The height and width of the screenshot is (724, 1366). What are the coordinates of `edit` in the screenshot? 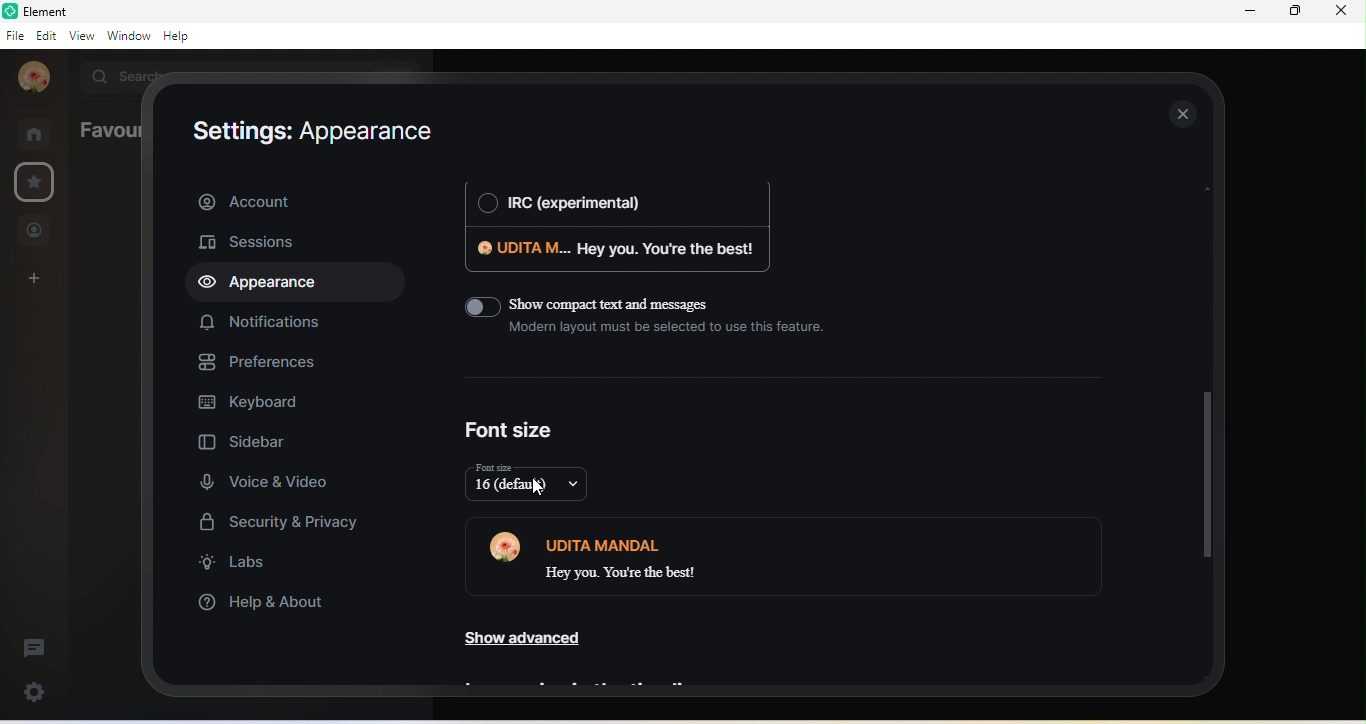 It's located at (44, 39).